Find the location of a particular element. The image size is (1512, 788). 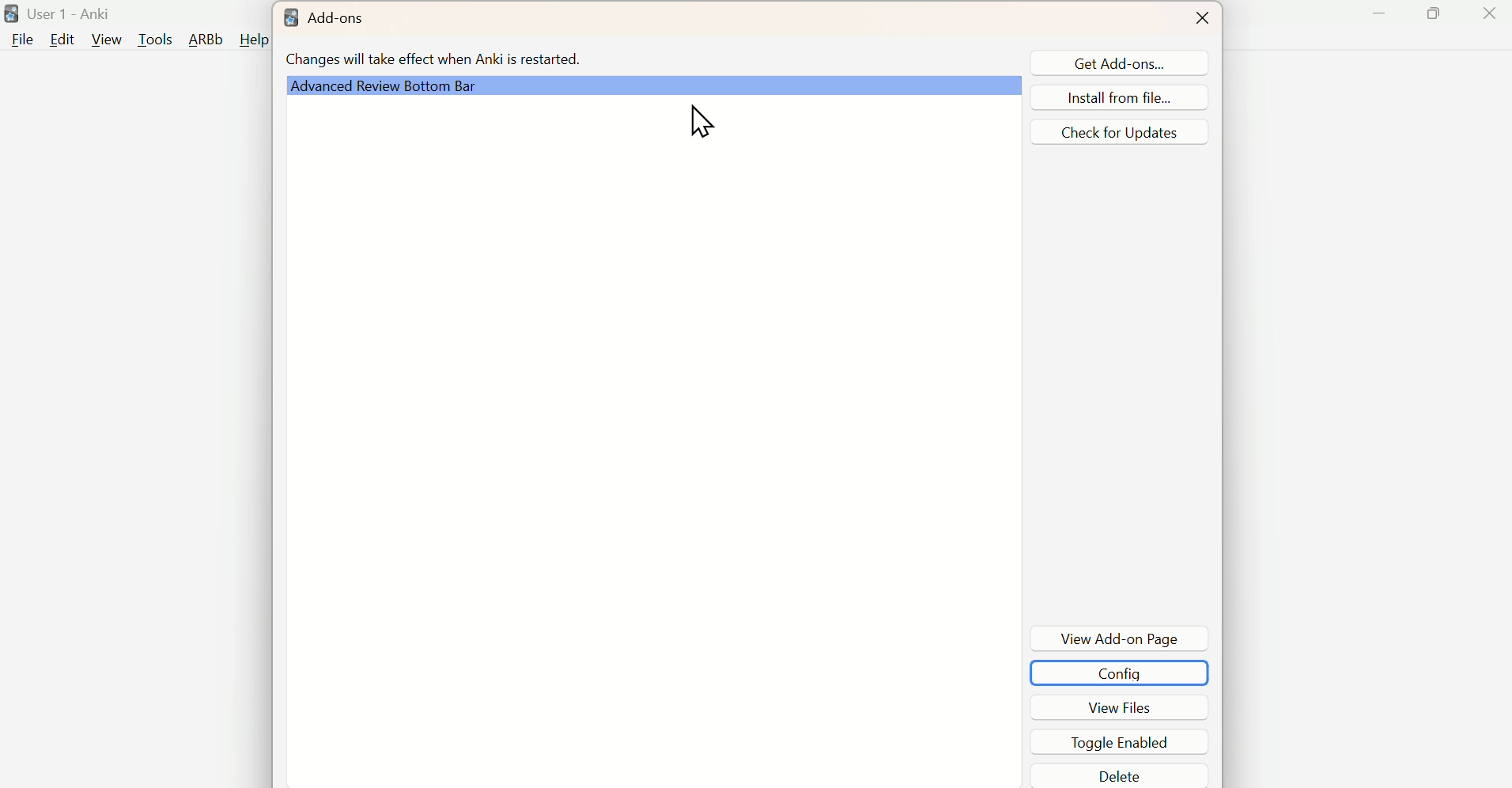

Add-ons is located at coordinates (323, 18).